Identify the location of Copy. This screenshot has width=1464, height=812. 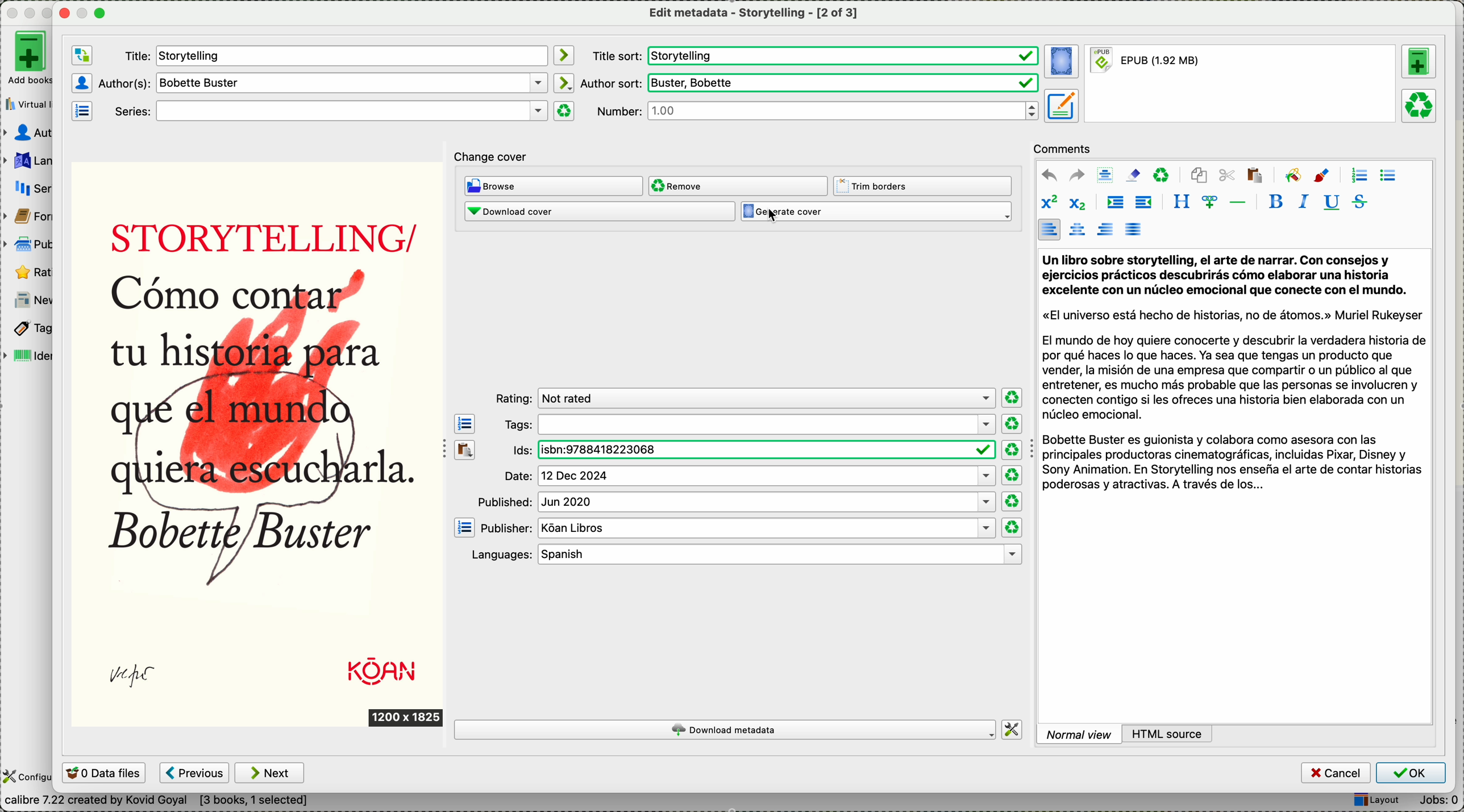
(464, 477).